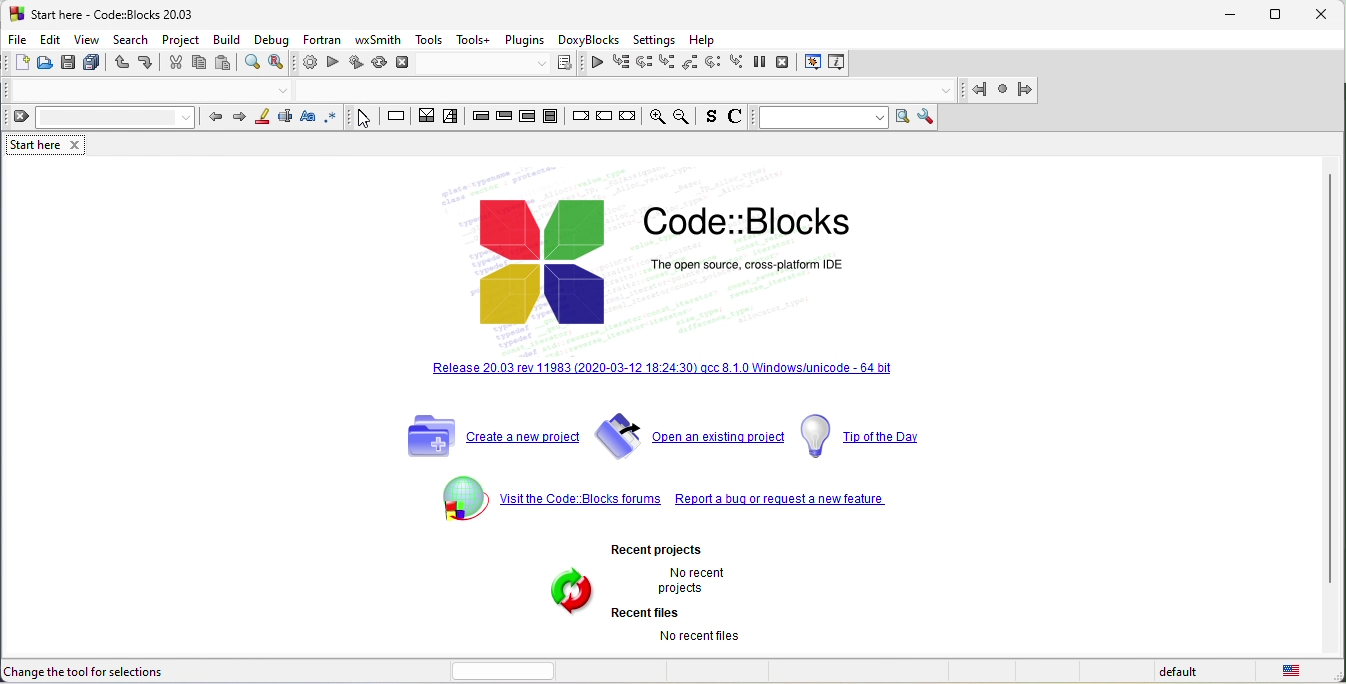 The image size is (1346, 684). I want to click on drop down, so click(281, 91).